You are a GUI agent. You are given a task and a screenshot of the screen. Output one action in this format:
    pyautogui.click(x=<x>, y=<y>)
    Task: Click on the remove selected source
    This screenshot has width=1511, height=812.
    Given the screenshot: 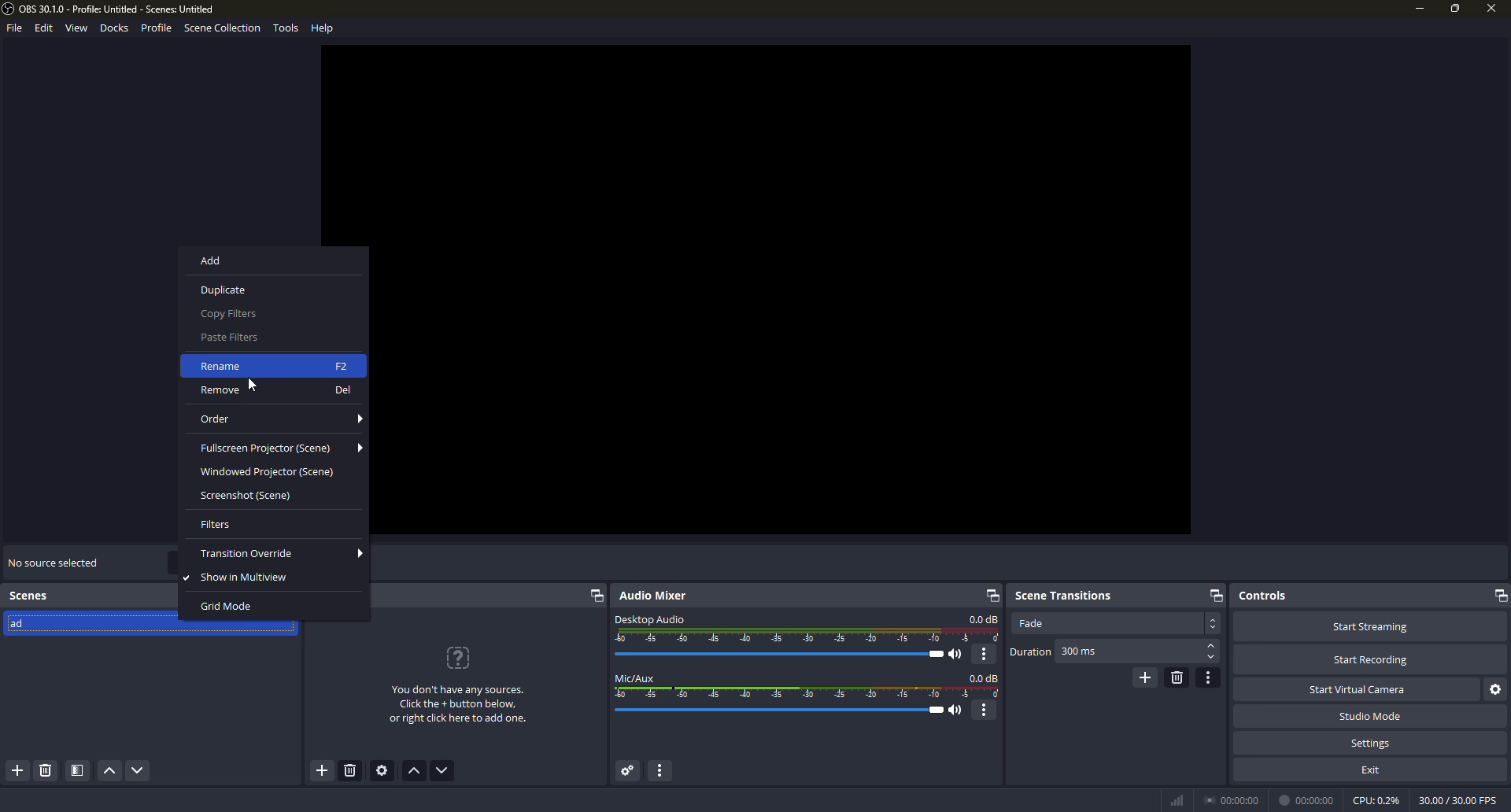 What is the action you would take?
    pyautogui.click(x=353, y=773)
    